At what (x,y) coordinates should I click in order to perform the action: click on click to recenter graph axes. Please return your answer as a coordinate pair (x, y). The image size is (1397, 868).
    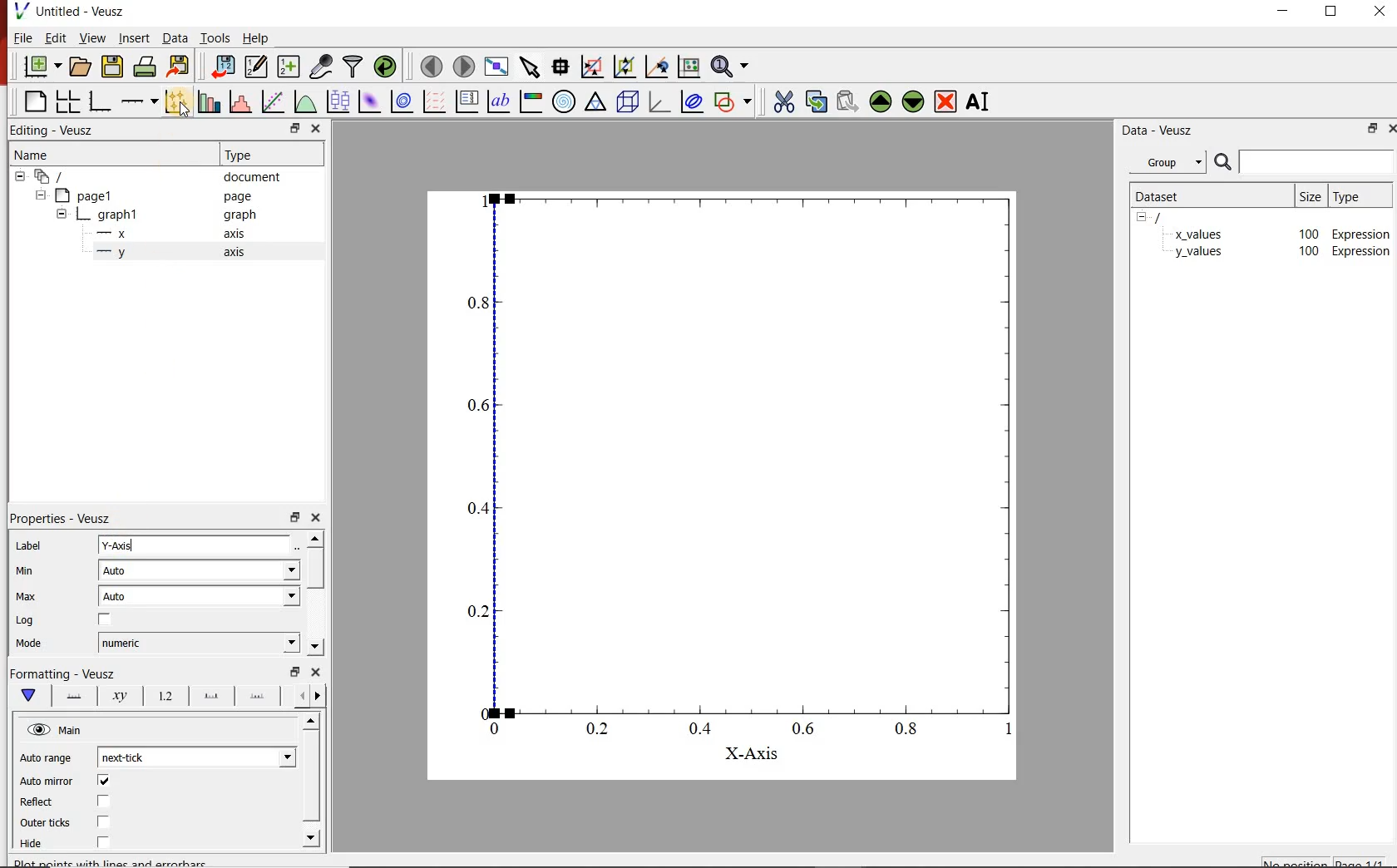
    Looking at the image, I should click on (656, 67).